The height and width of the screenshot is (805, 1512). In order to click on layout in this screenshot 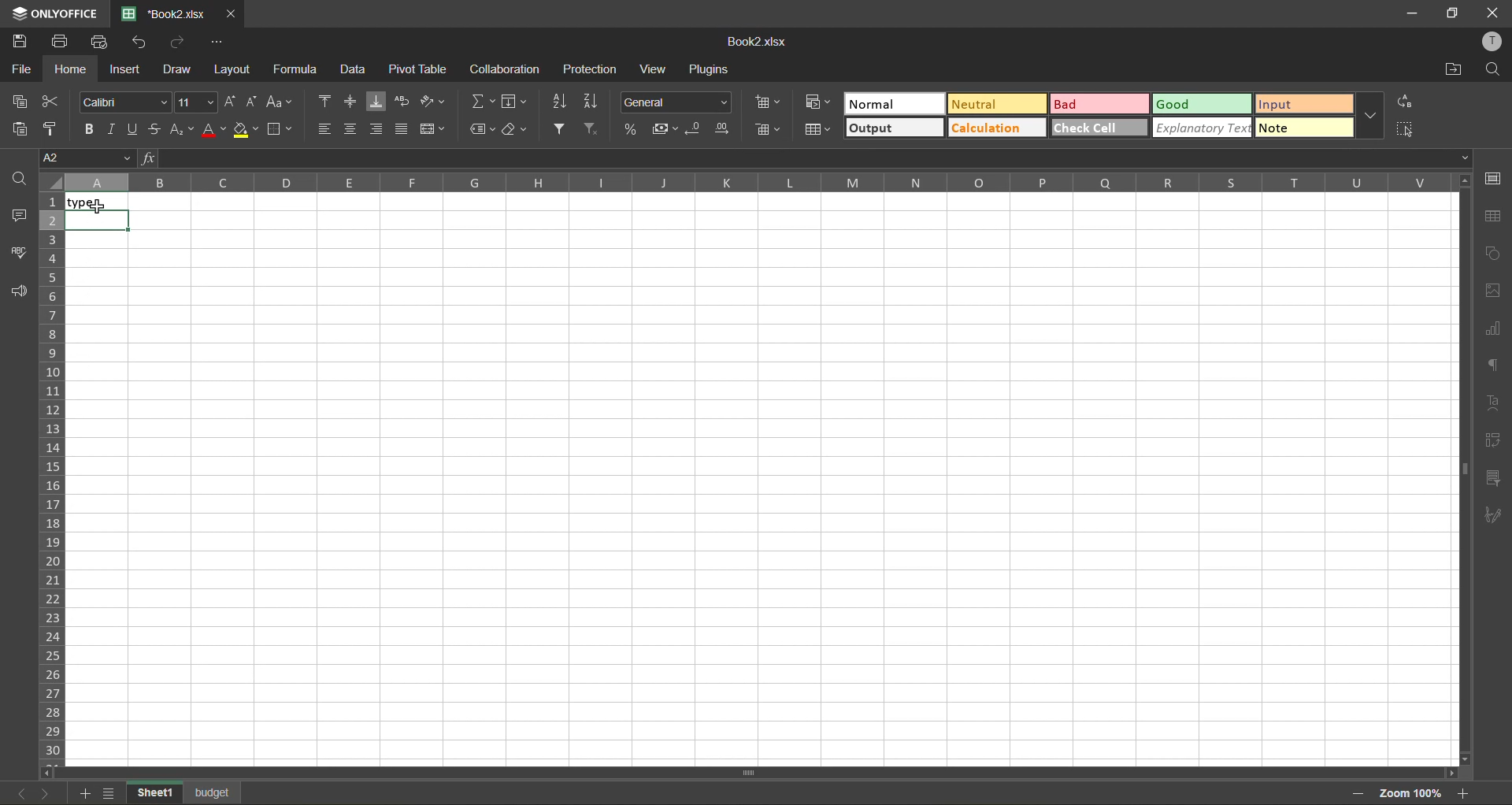, I will do `click(231, 69)`.